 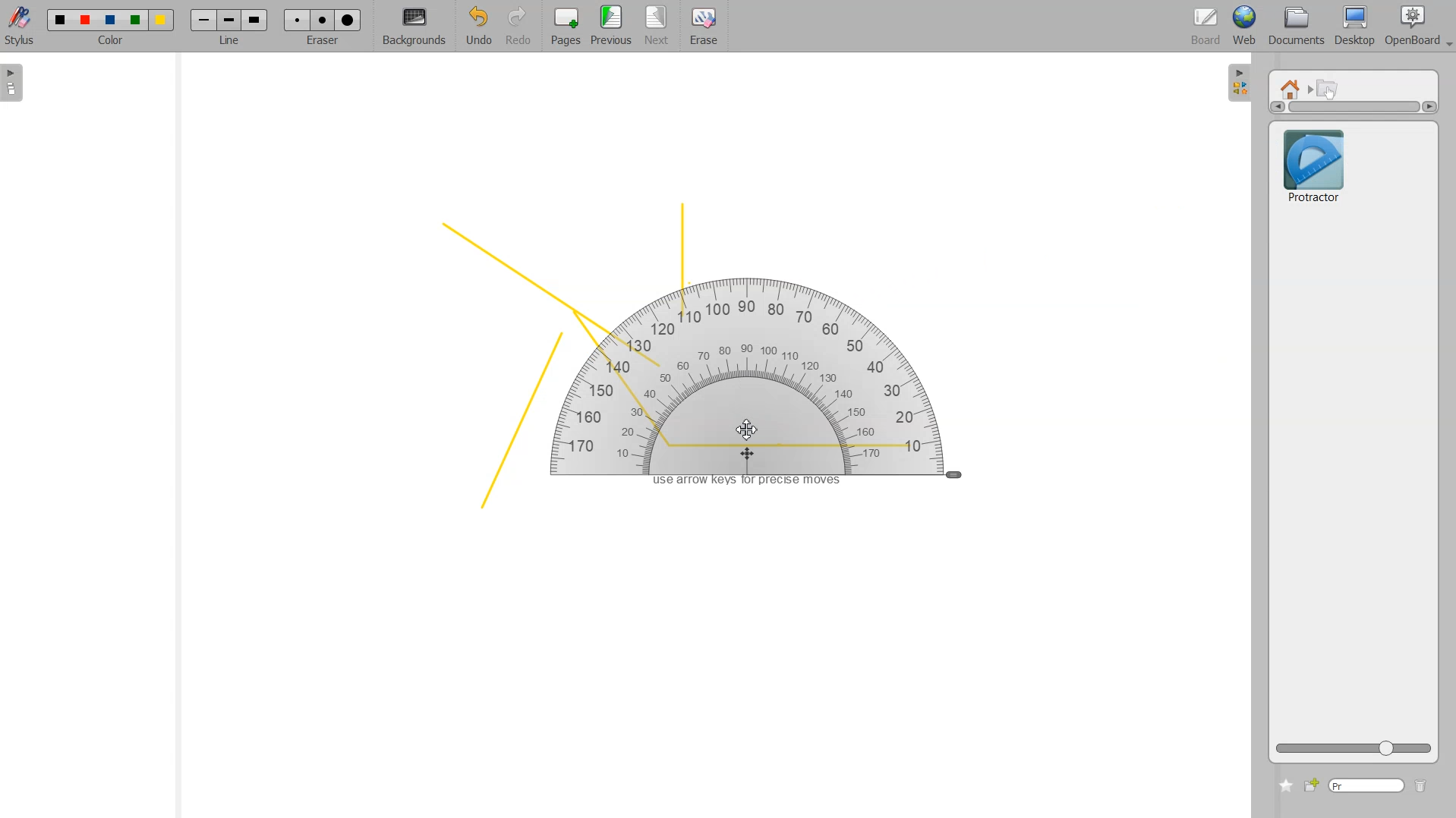 I want to click on Next, so click(x=658, y=27).